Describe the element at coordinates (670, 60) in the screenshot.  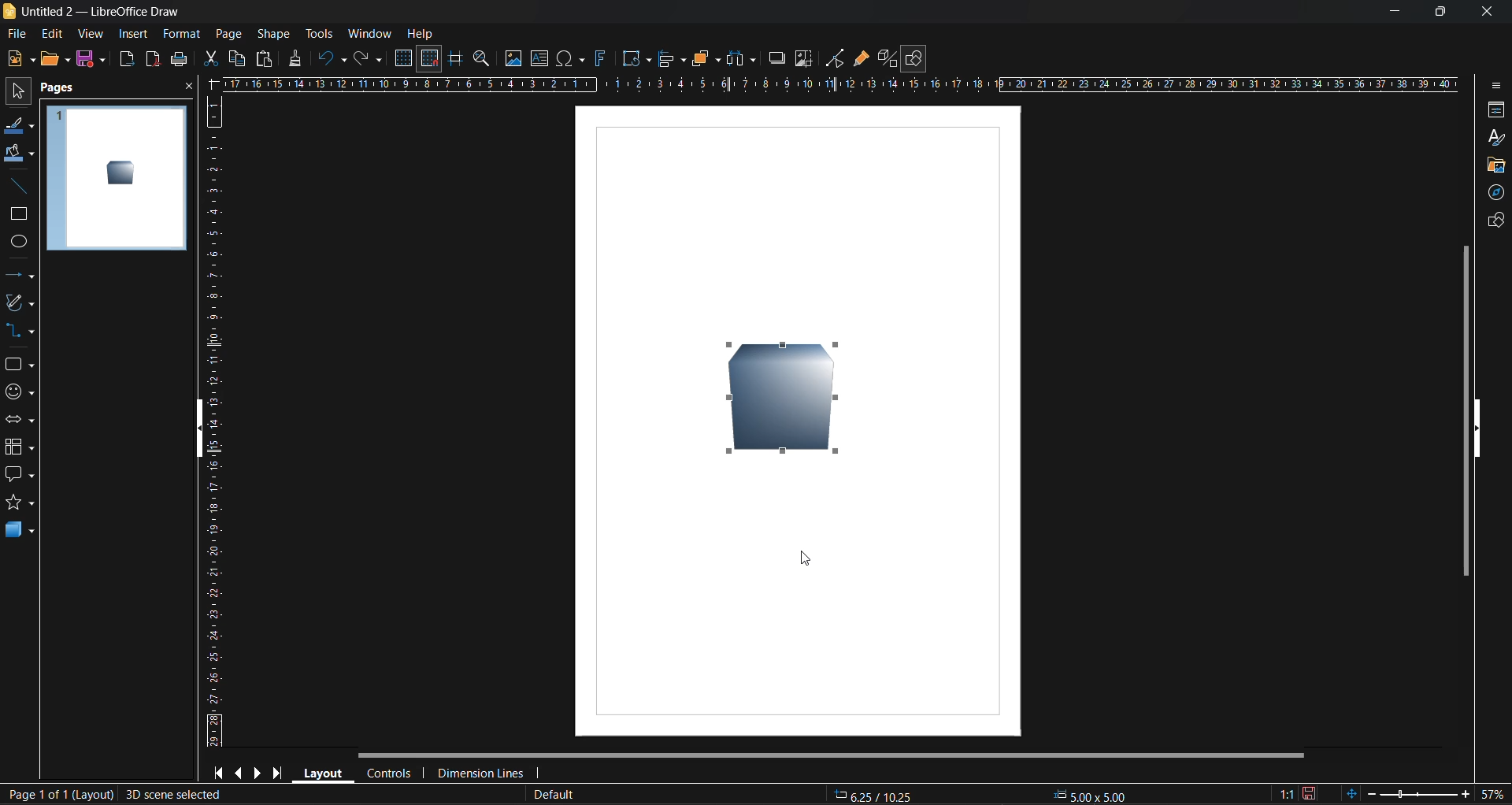
I see `align objects` at that location.